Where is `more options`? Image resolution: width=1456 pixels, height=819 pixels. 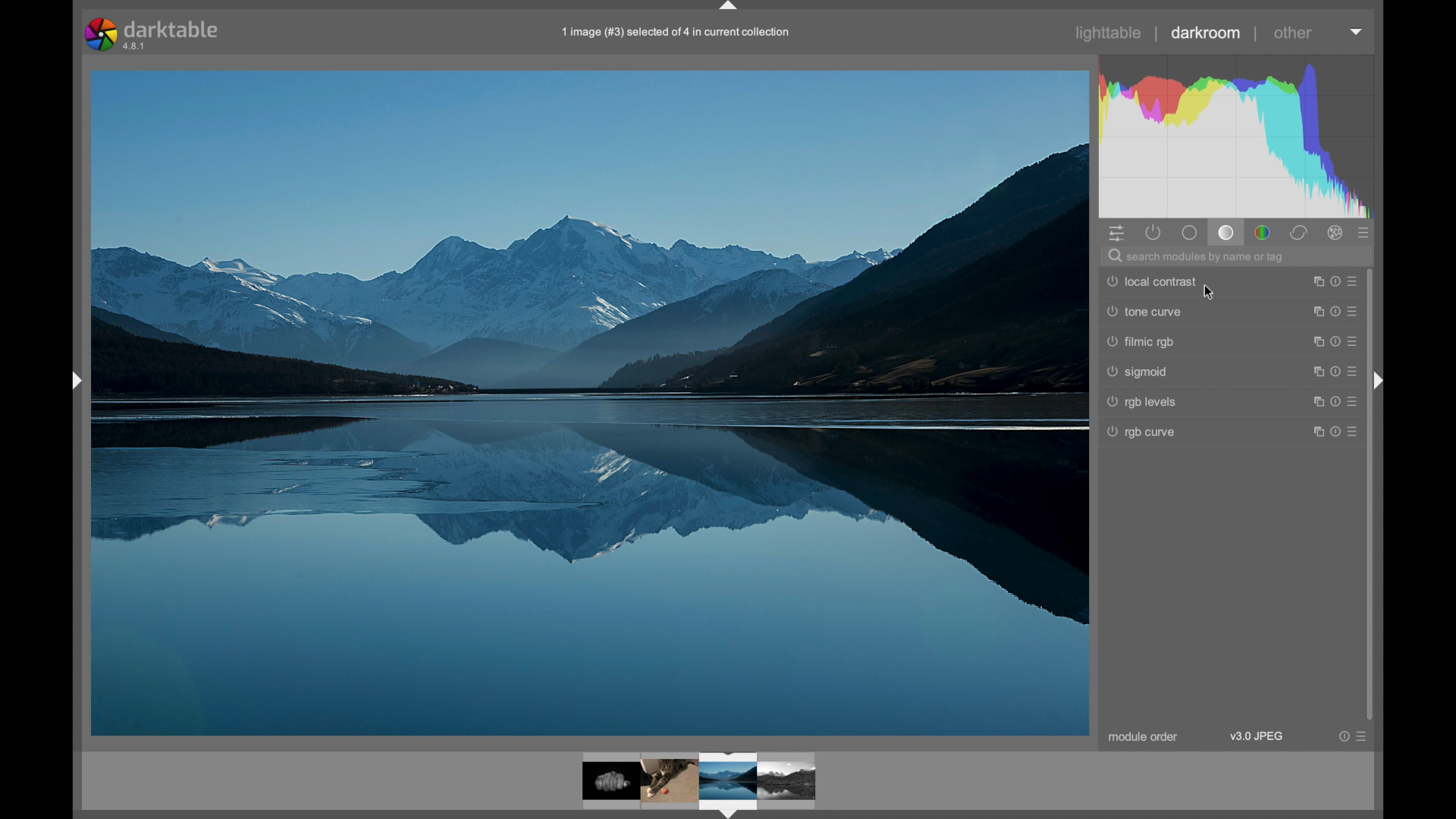
more options is located at coordinates (1334, 312).